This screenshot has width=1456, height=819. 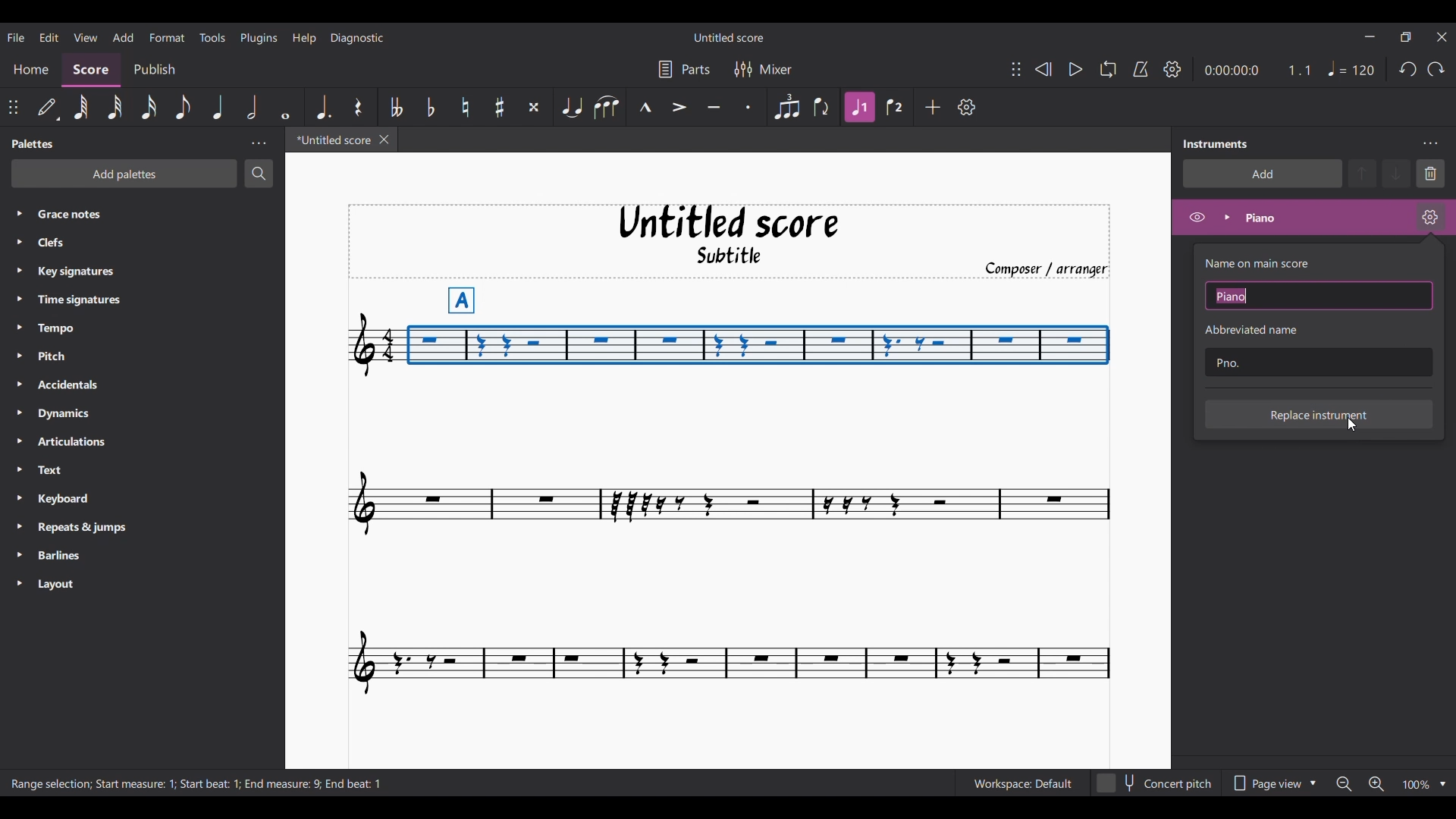 I want to click on Score section, current selection highlighted, so click(x=94, y=68).